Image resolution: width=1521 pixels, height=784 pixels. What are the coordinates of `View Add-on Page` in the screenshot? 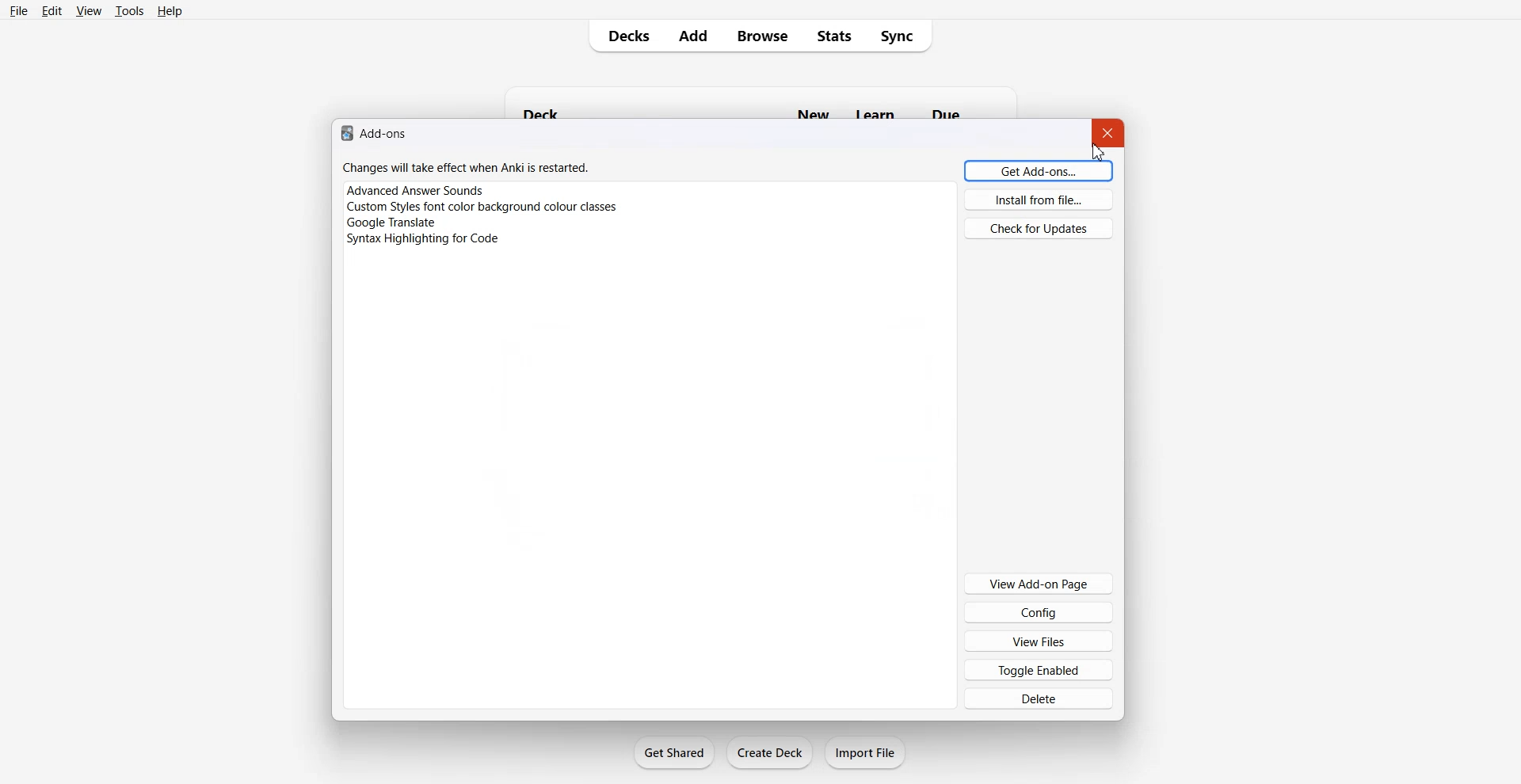 It's located at (1038, 583).